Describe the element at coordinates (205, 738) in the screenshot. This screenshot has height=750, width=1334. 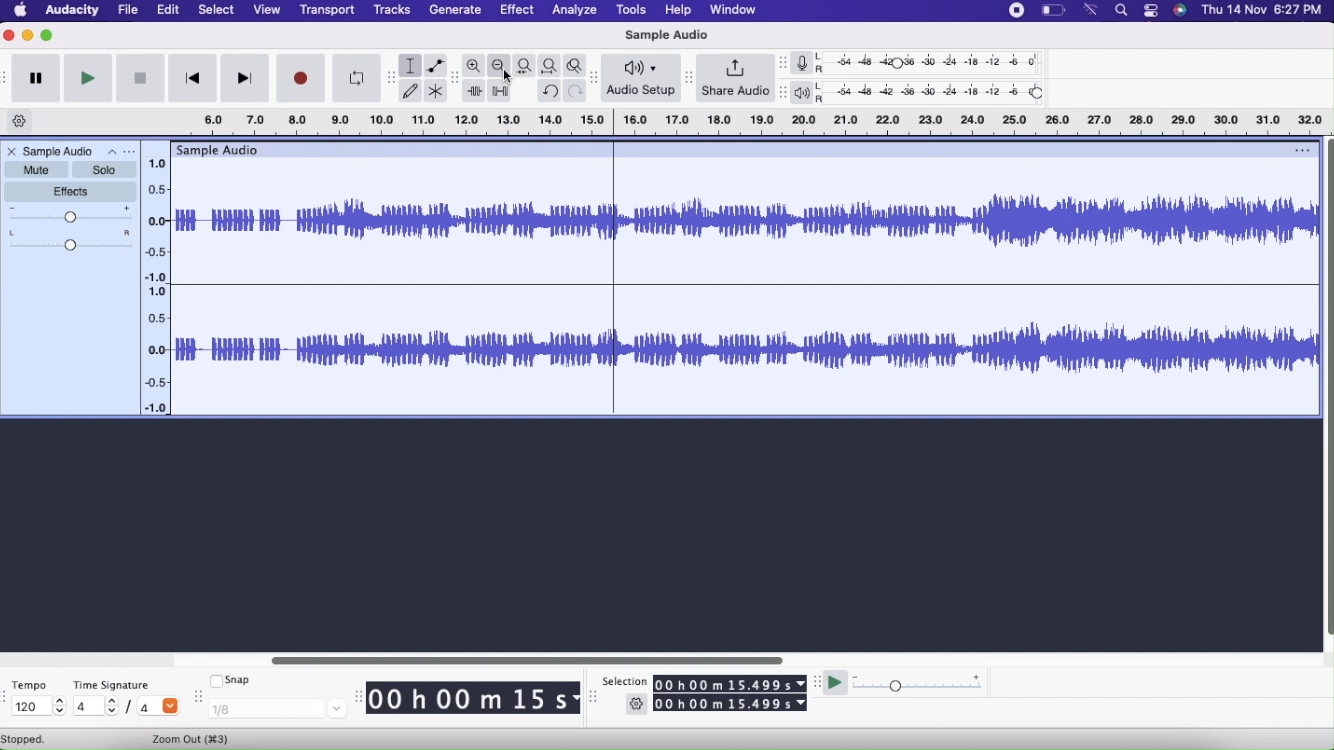
I see `Zoom Out` at that location.